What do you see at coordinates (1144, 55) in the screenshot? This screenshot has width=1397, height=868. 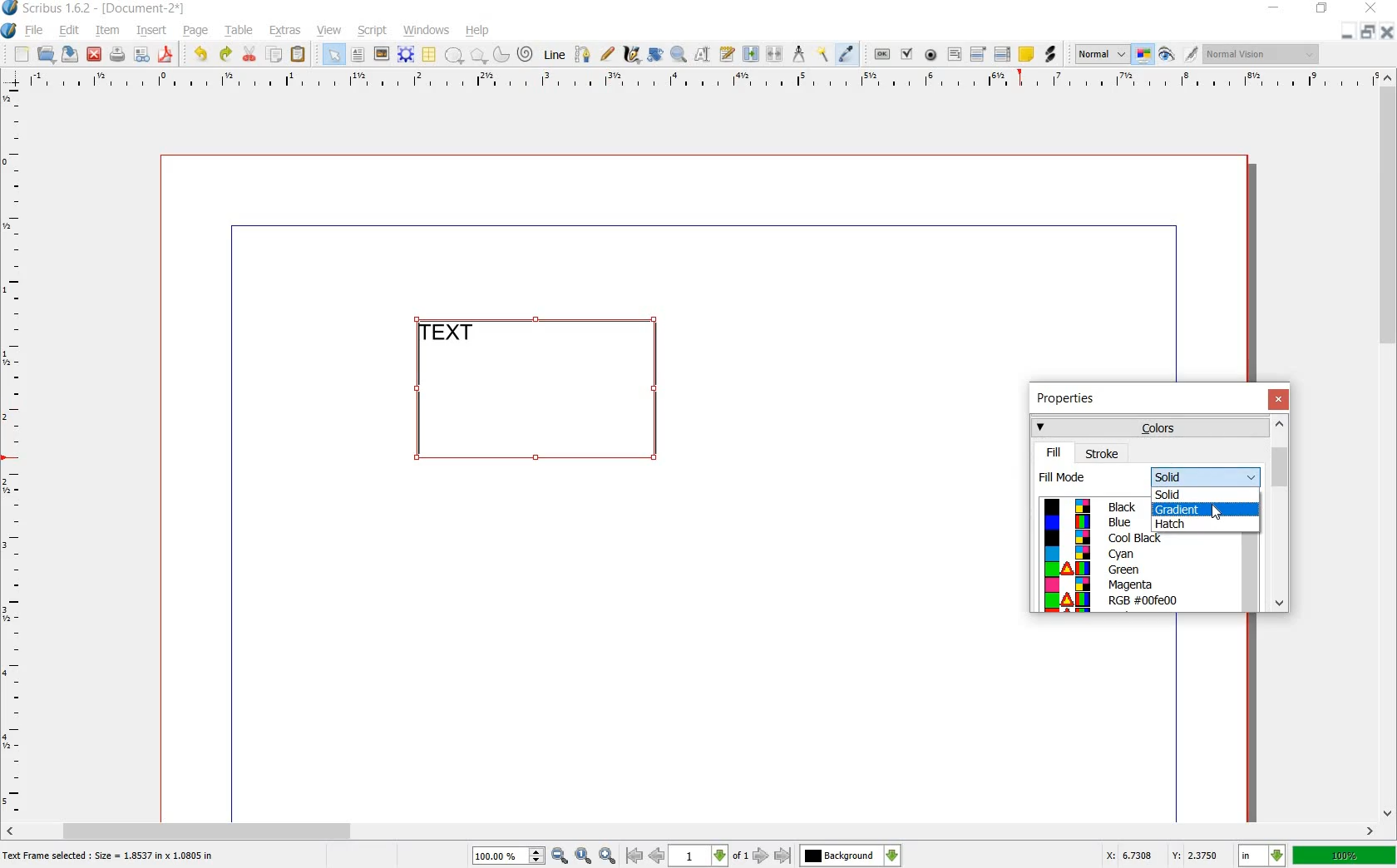 I see `toggle color management system` at bounding box center [1144, 55].